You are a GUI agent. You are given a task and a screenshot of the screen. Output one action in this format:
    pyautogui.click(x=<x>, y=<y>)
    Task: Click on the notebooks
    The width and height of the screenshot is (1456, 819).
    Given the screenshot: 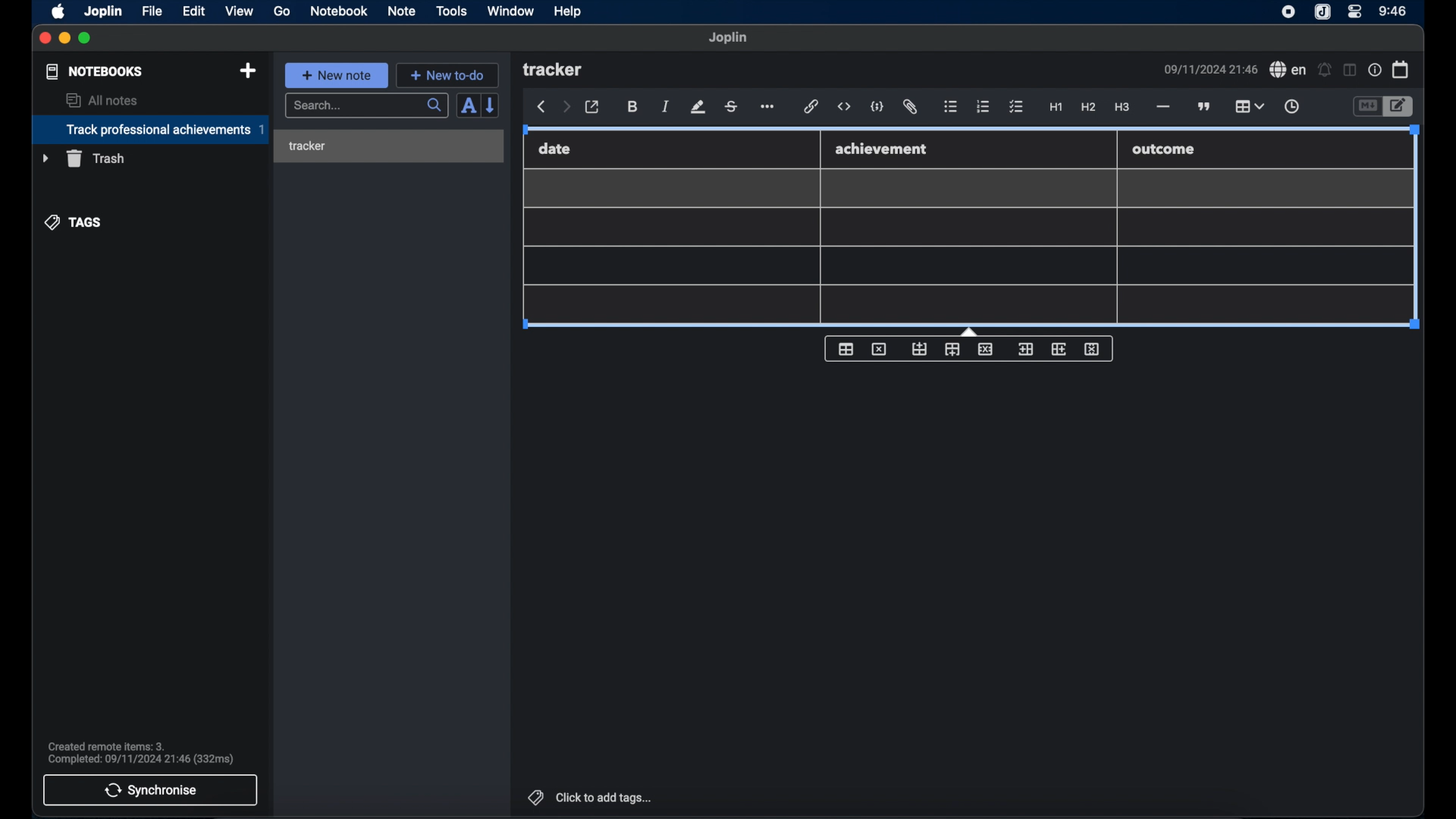 What is the action you would take?
    pyautogui.click(x=93, y=71)
    